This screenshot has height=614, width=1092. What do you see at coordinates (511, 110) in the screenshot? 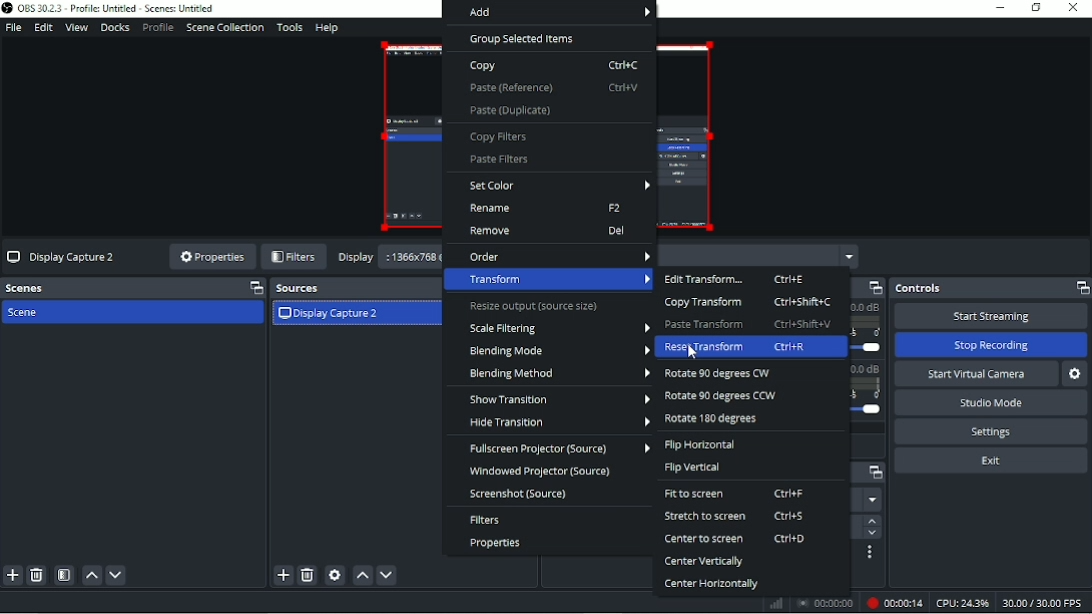
I see `Paste (Duplicate)` at bounding box center [511, 110].